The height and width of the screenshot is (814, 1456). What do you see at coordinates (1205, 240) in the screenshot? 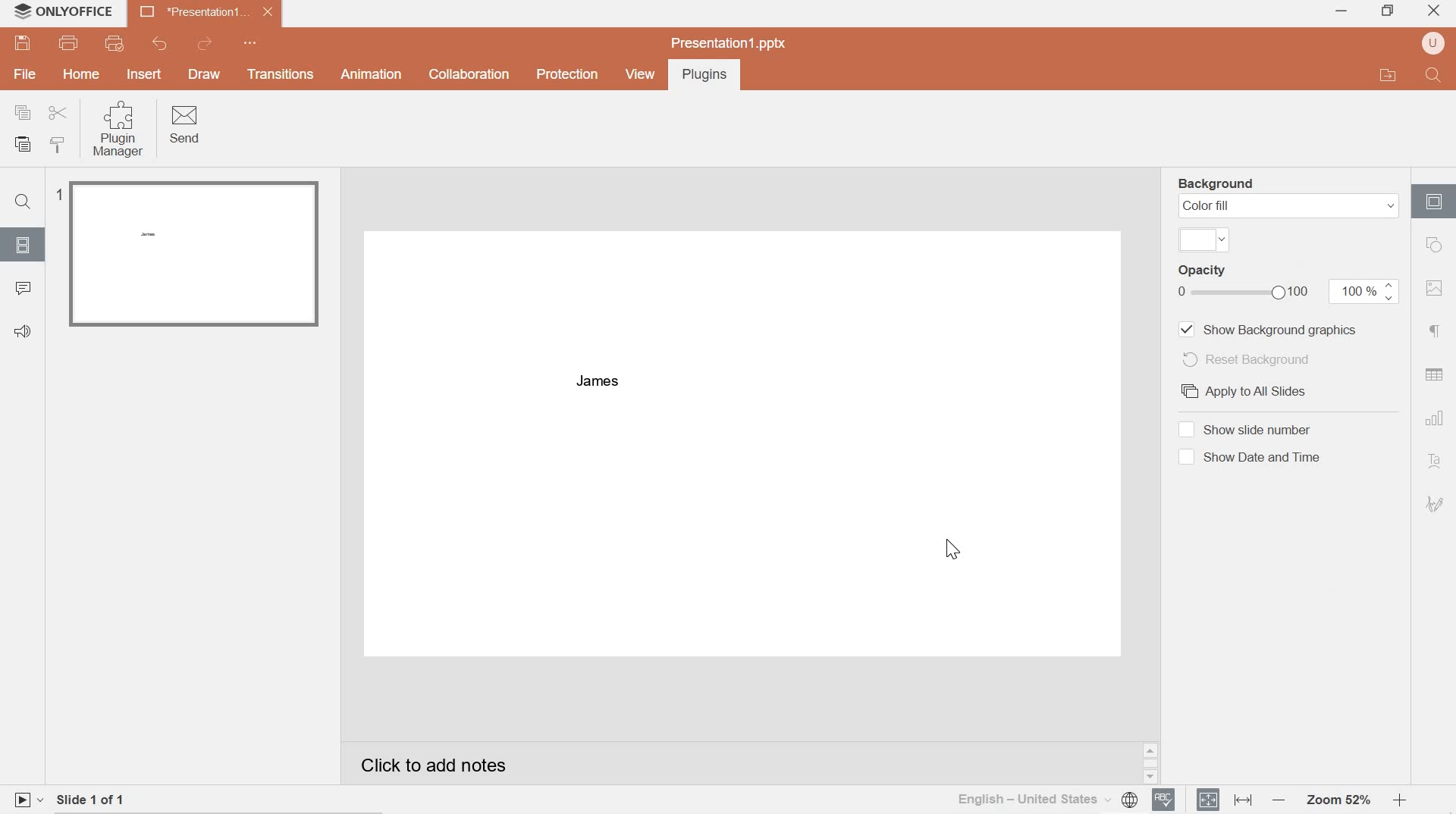
I see `input field` at bounding box center [1205, 240].